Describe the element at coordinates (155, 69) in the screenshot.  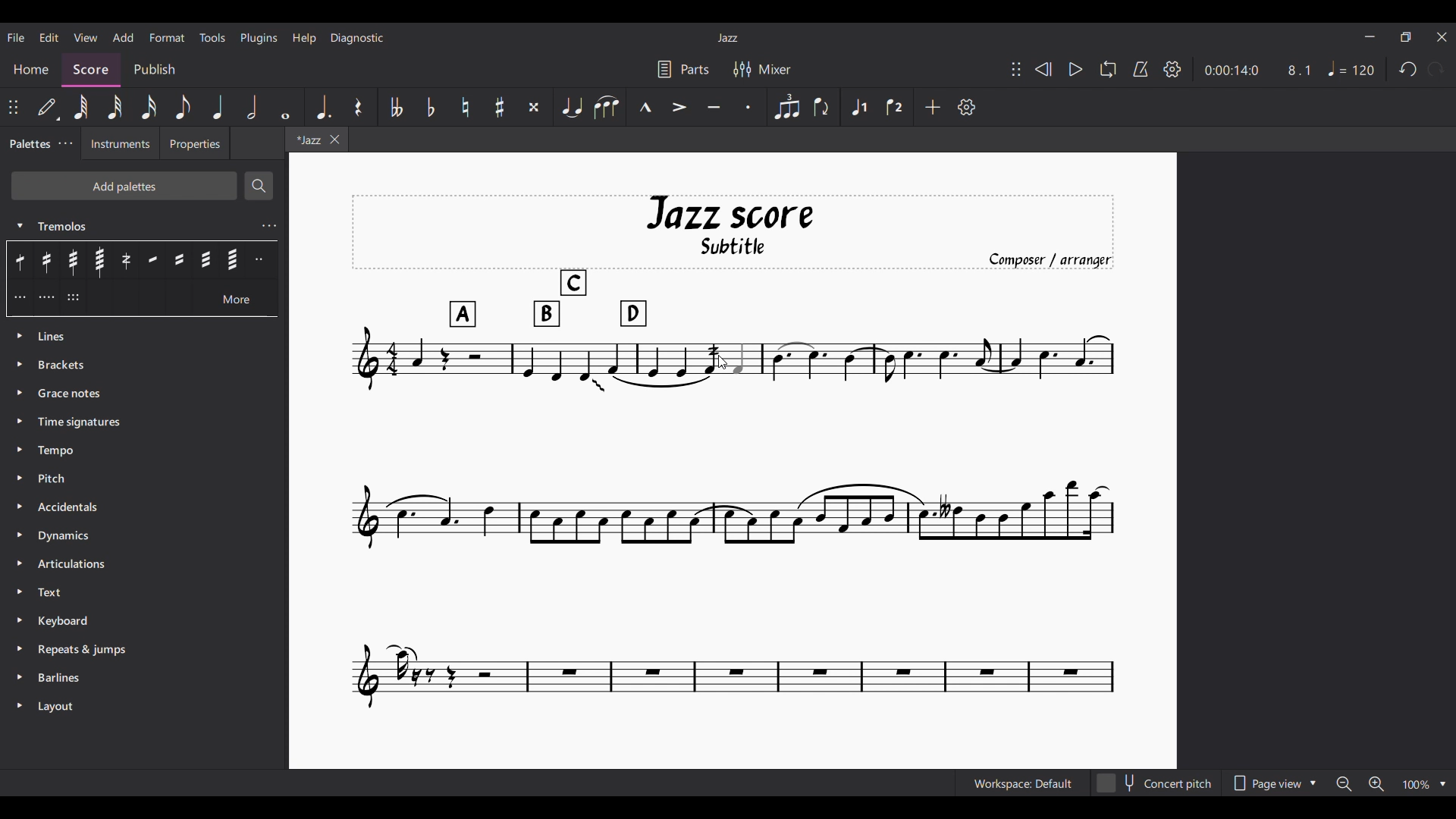
I see `Publish` at that location.